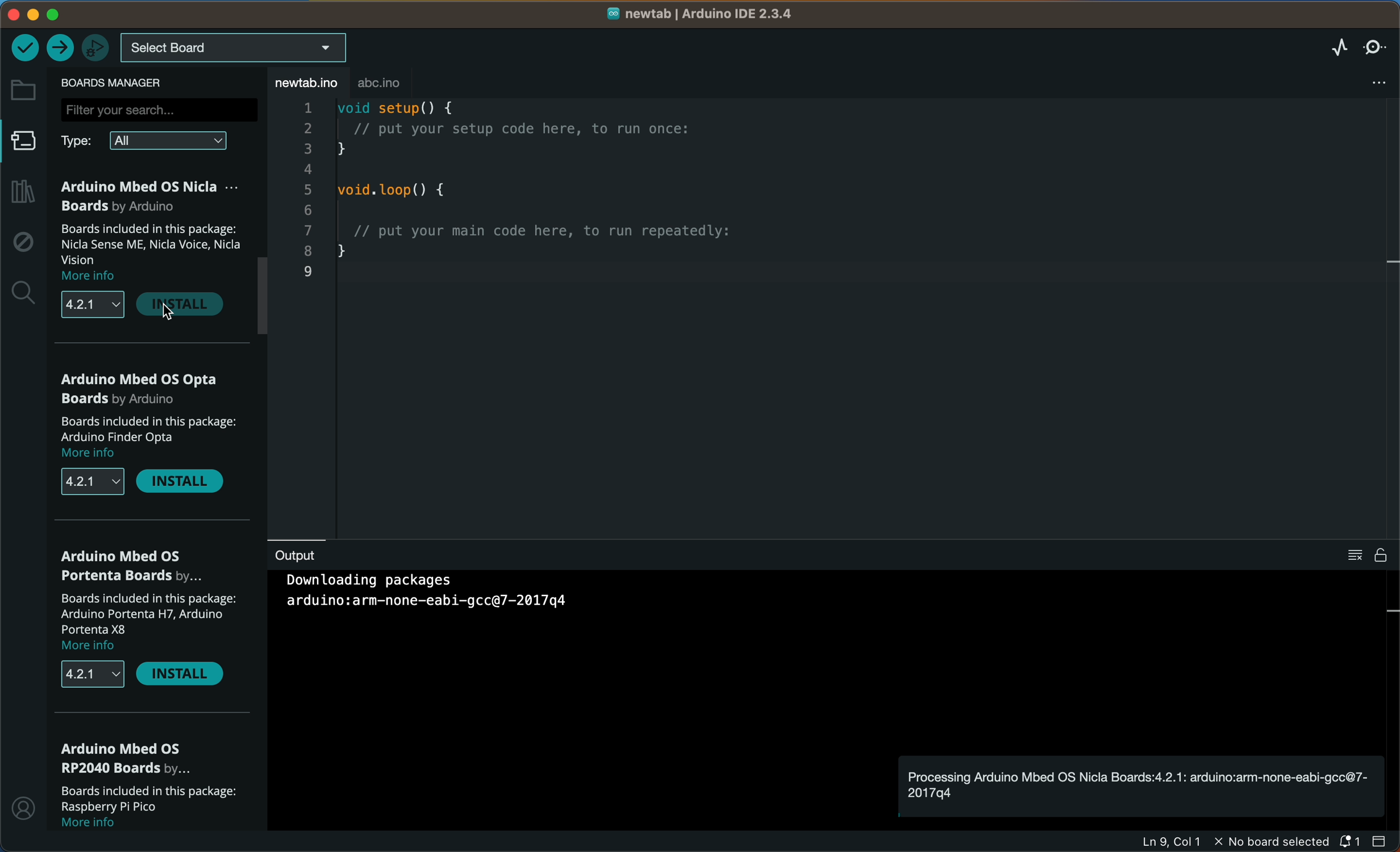  I want to click on , so click(424, 603).